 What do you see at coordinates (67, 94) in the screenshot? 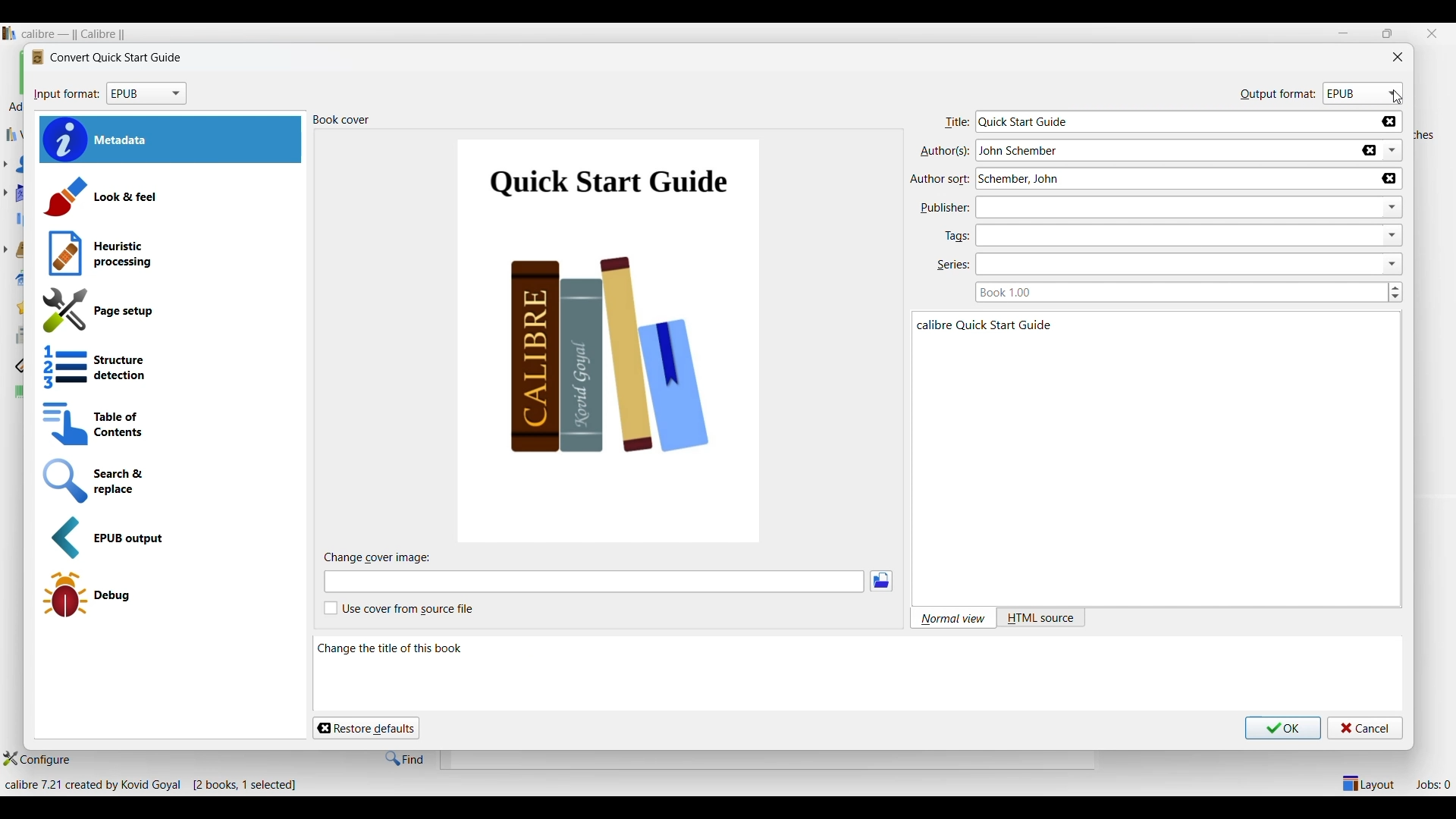
I see `input format` at bounding box center [67, 94].